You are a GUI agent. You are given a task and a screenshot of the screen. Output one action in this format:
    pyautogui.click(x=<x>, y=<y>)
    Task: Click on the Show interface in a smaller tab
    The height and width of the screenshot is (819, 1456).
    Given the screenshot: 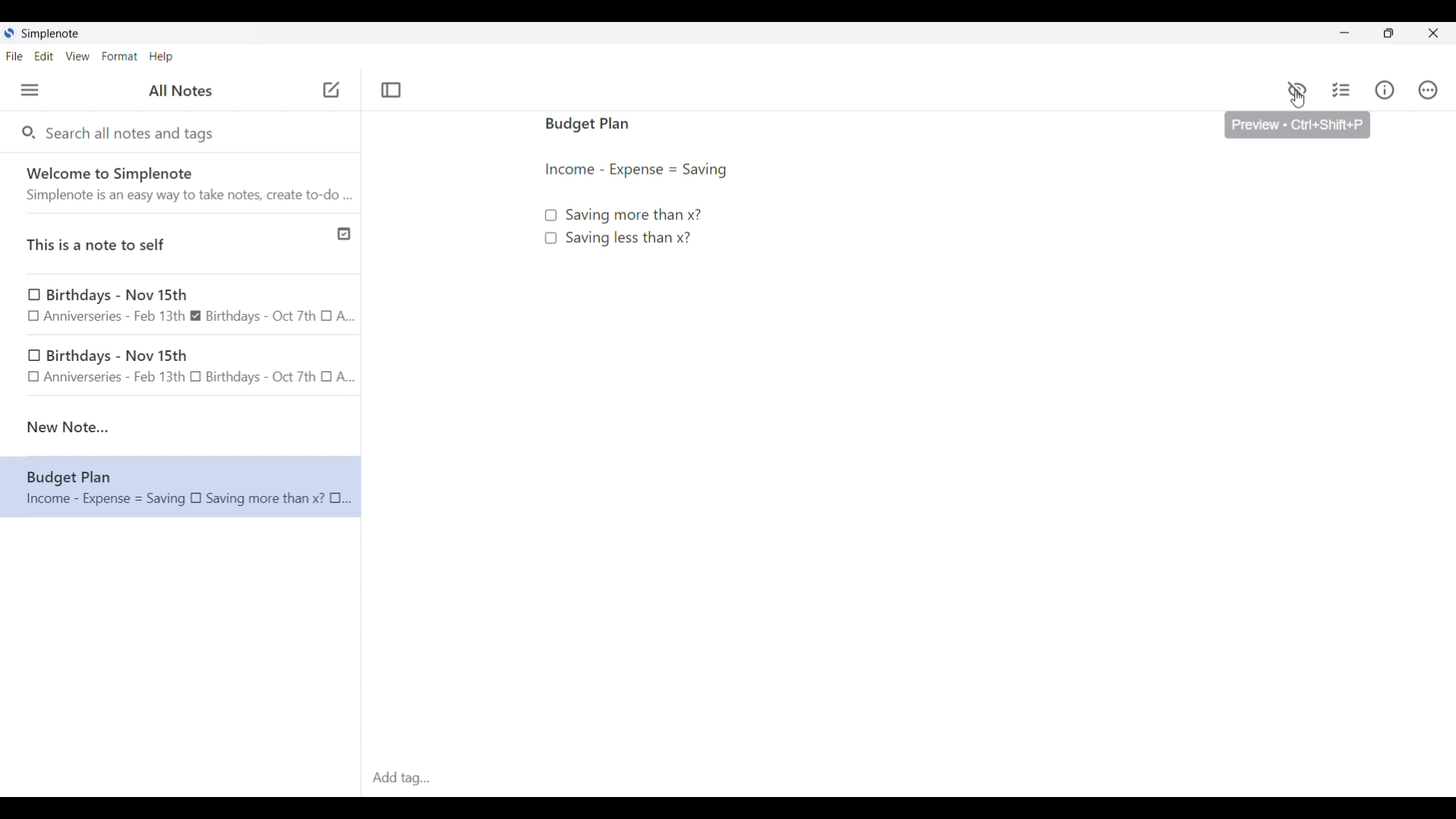 What is the action you would take?
    pyautogui.click(x=1389, y=33)
    